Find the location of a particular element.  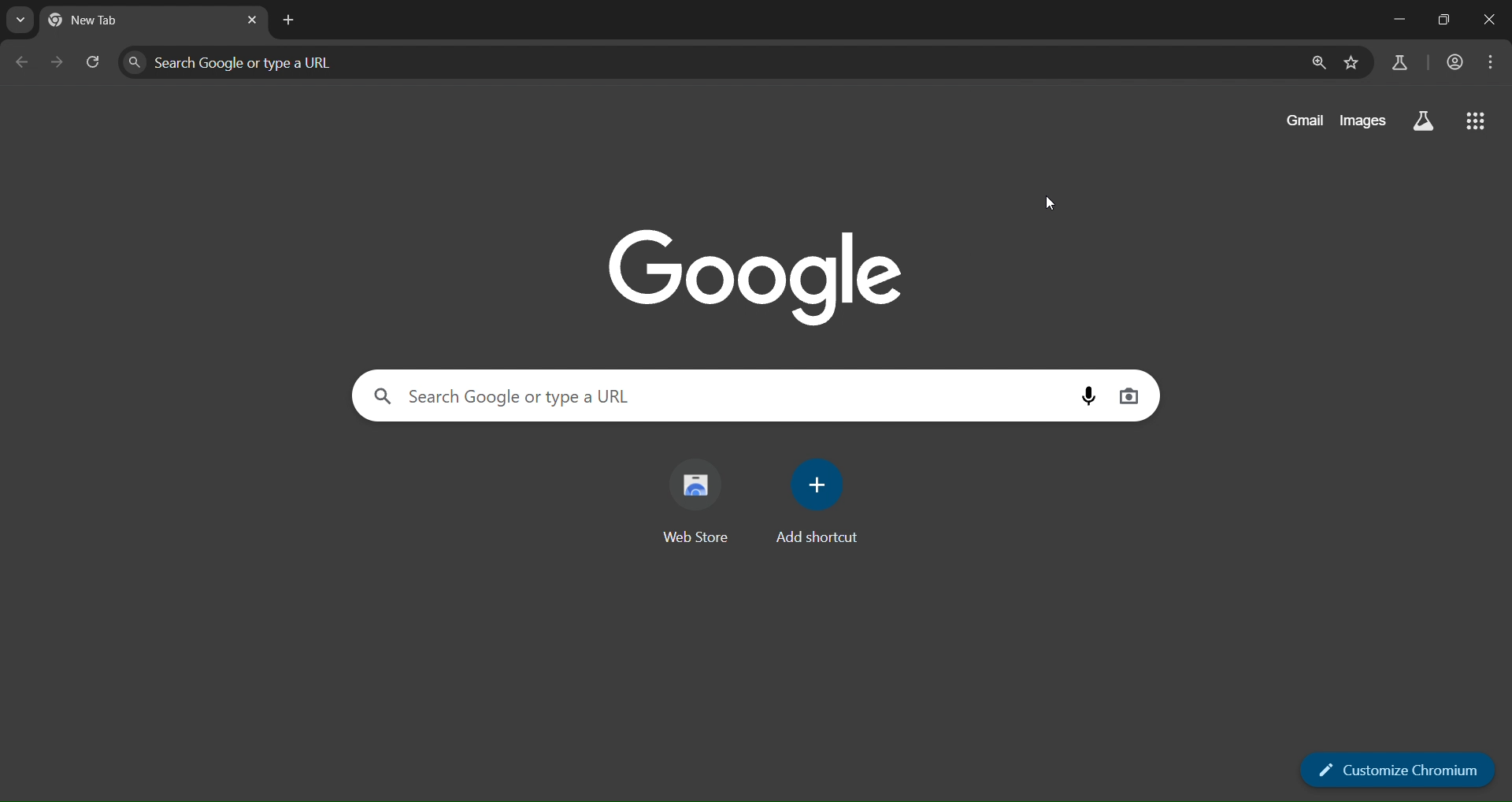

Search Google or type a URL is located at coordinates (250, 62).